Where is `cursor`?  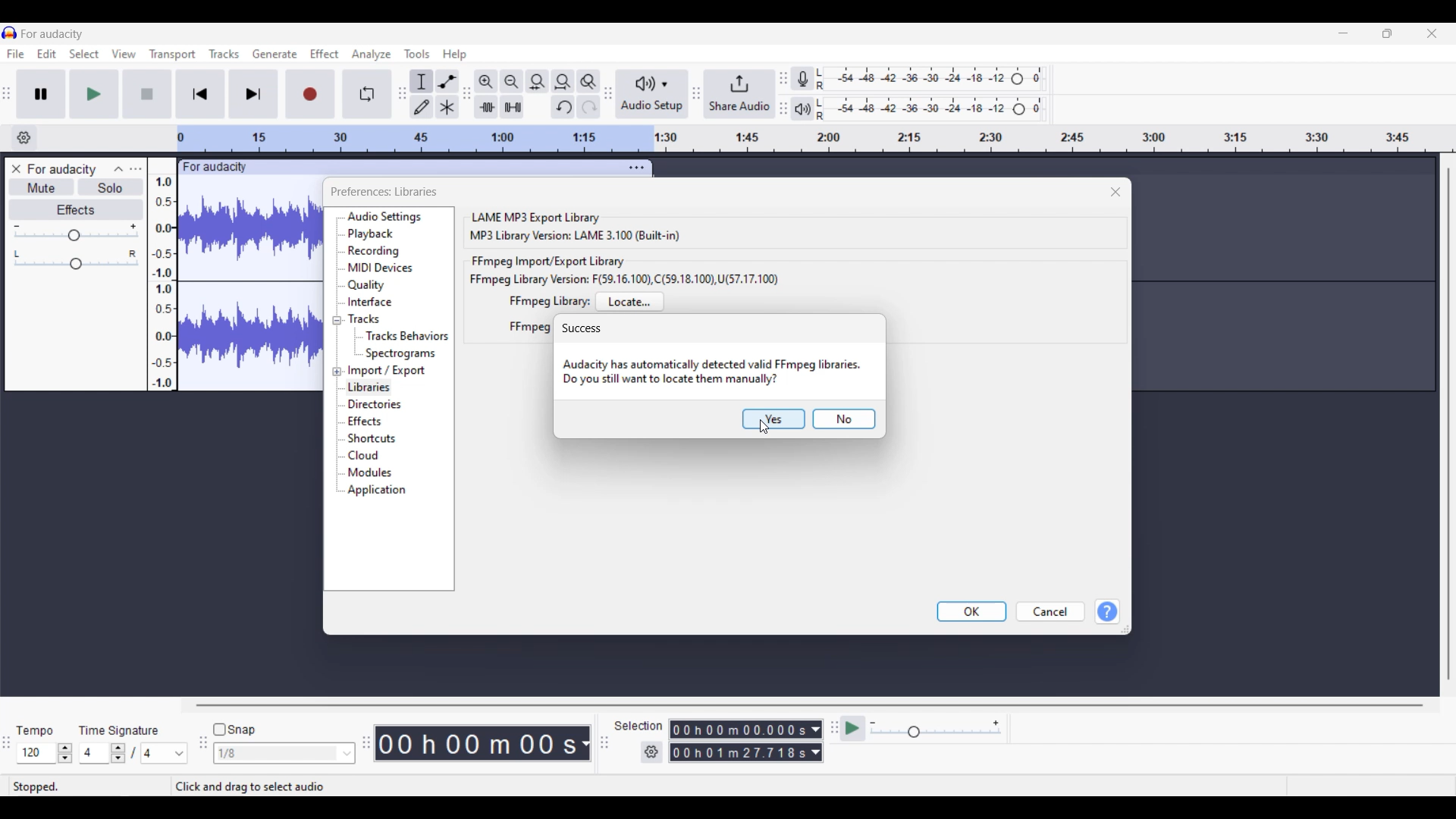
cursor is located at coordinates (764, 427).